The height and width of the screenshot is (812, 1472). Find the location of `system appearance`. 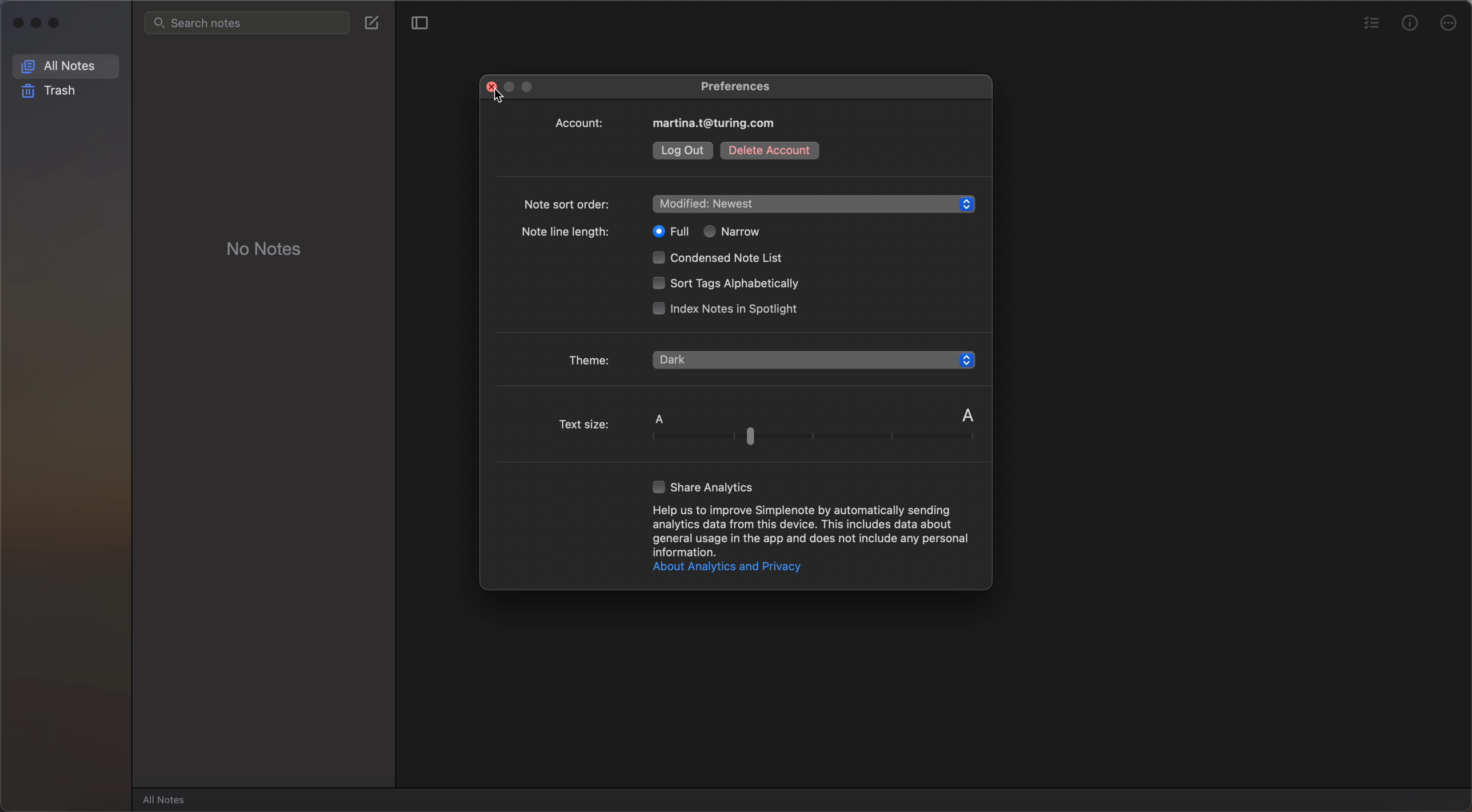

system appearance is located at coordinates (709, 358).